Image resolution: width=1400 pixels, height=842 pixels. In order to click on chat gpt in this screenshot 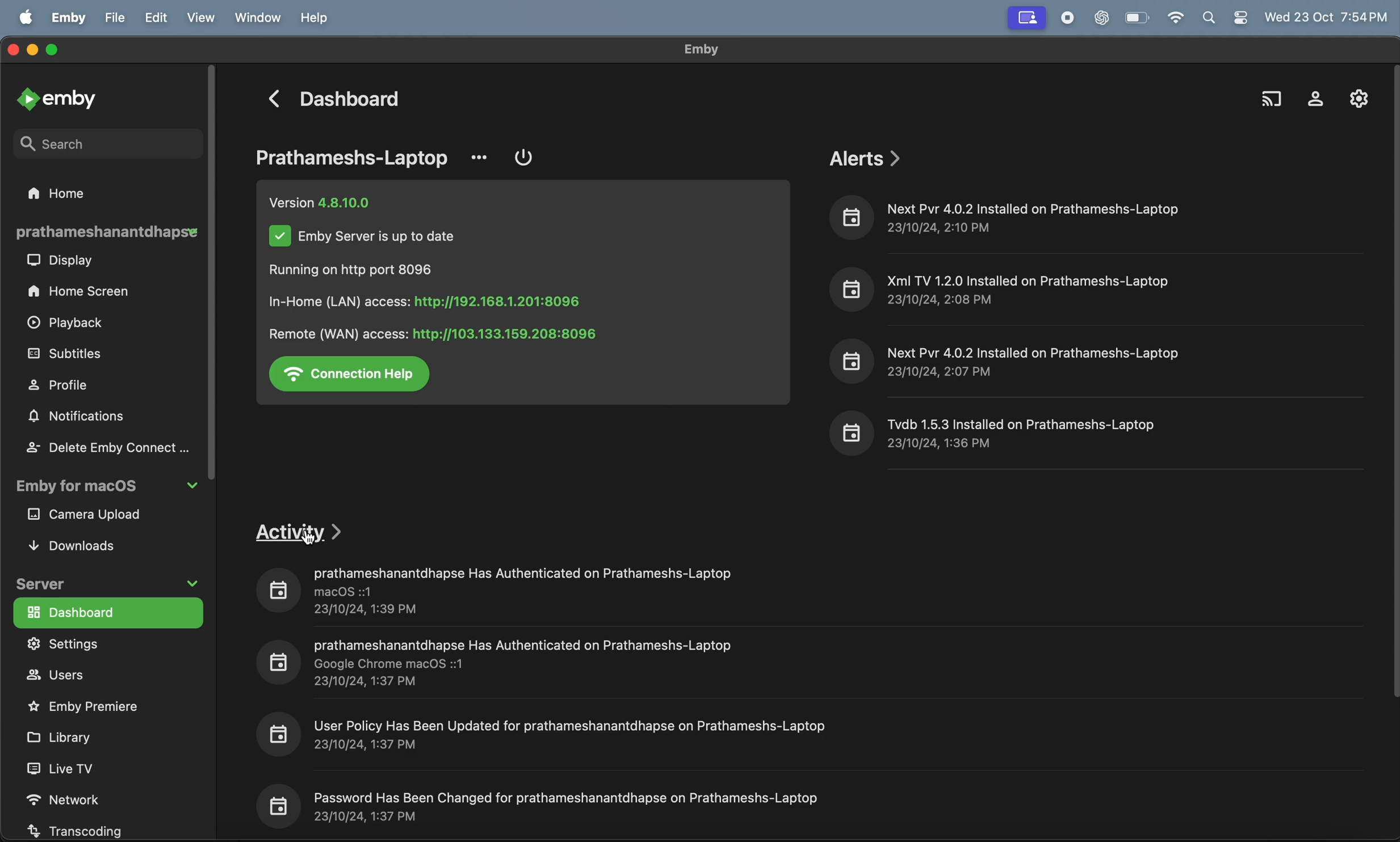, I will do `click(1099, 19)`.